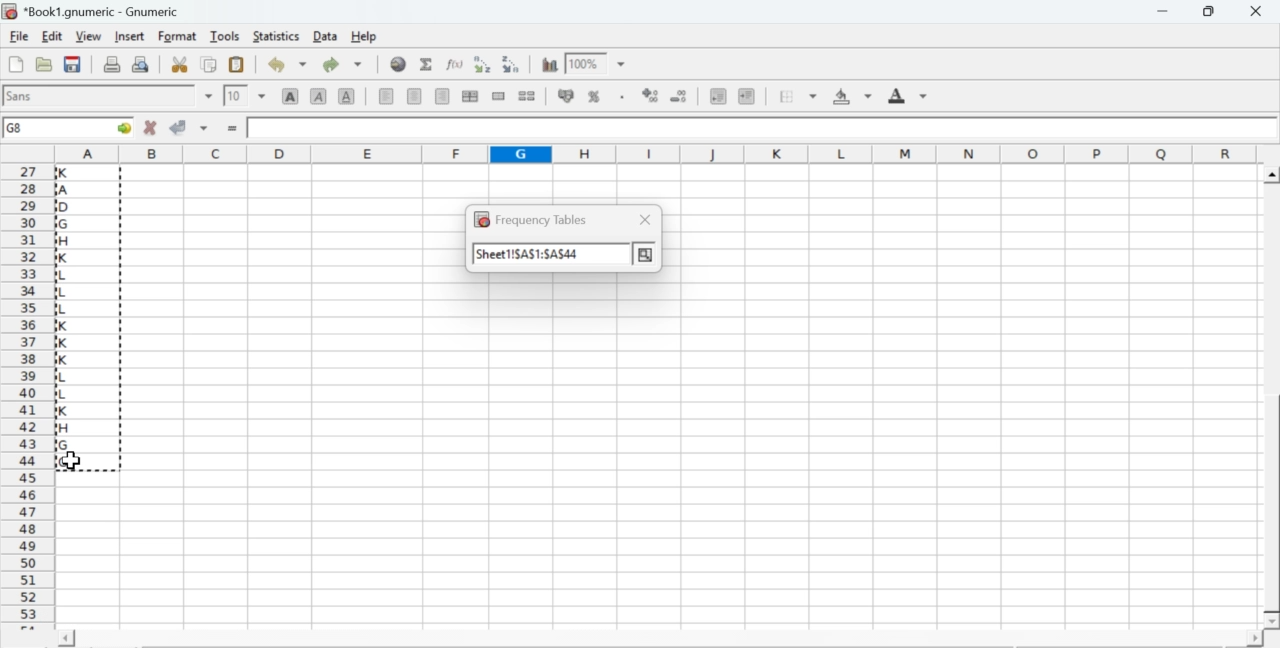 This screenshot has width=1280, height=648. I want to click on Sort the selected region in descending order based on the first column selected, so click(512, 62).